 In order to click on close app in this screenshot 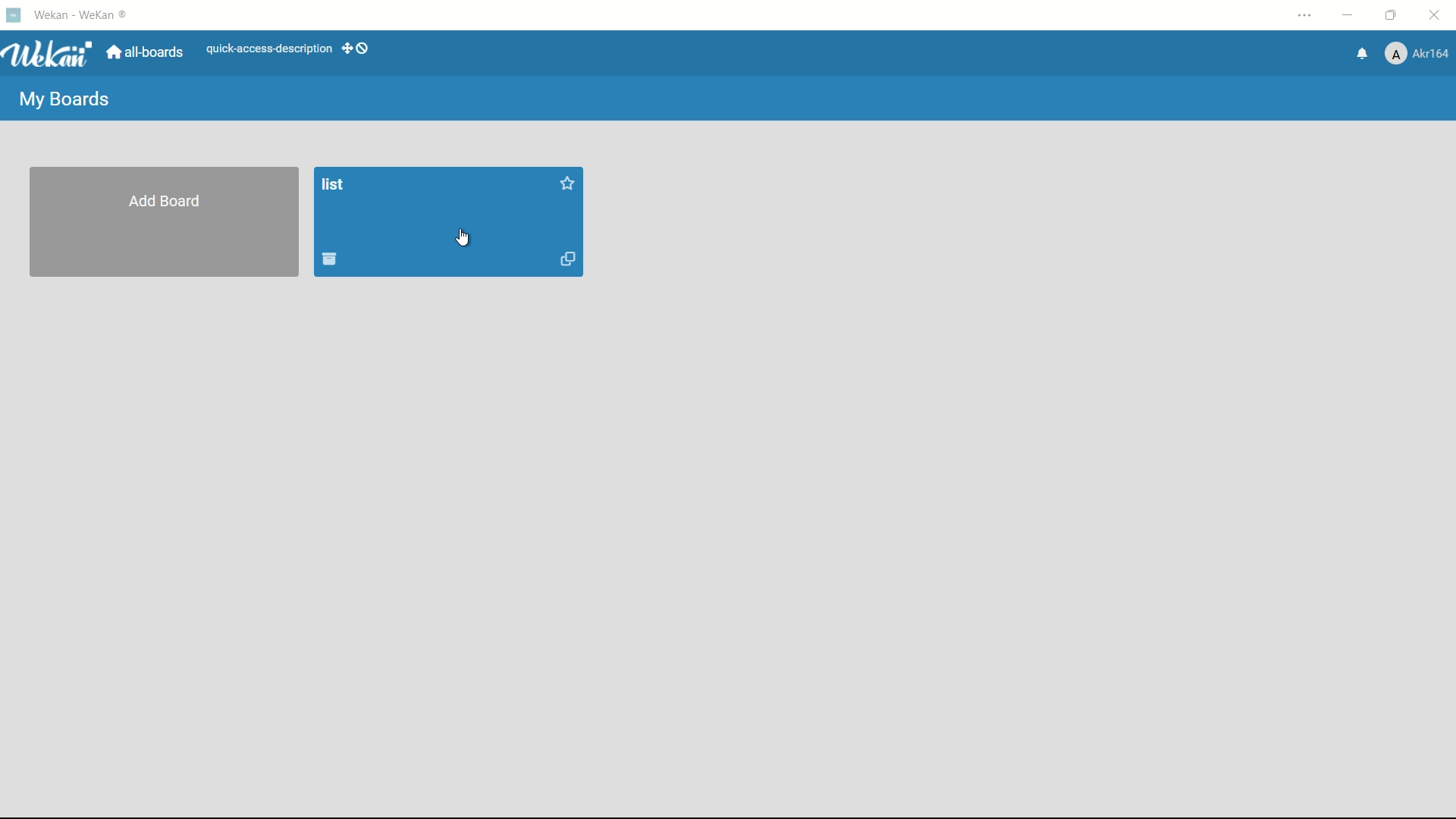, I will do `click(1435, 15)`.